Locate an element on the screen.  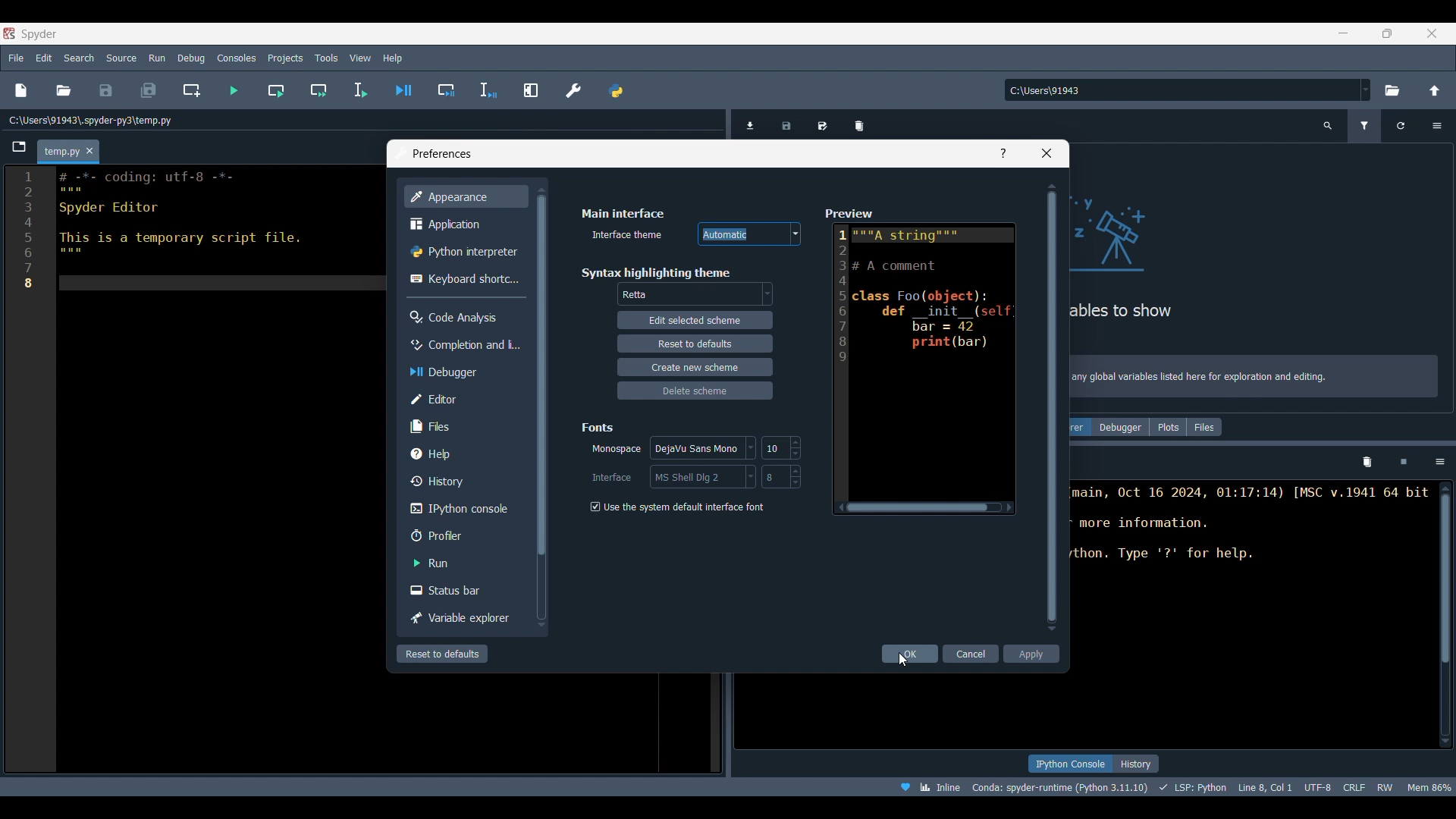
Section title is located at coordinates (623, 213).